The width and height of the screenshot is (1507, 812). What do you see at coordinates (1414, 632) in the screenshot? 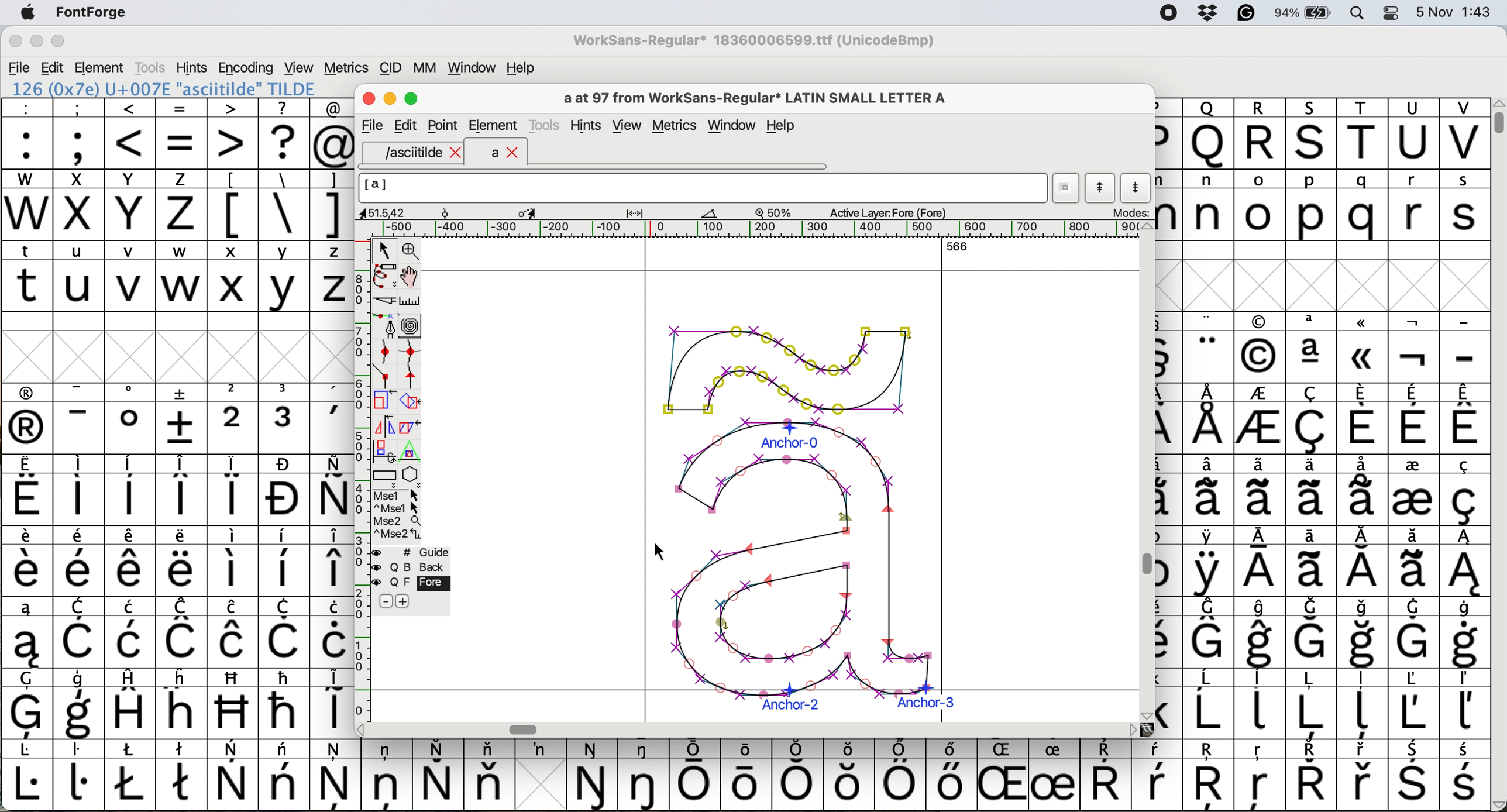
I see `symbol` at bounding box center [1414, 632].